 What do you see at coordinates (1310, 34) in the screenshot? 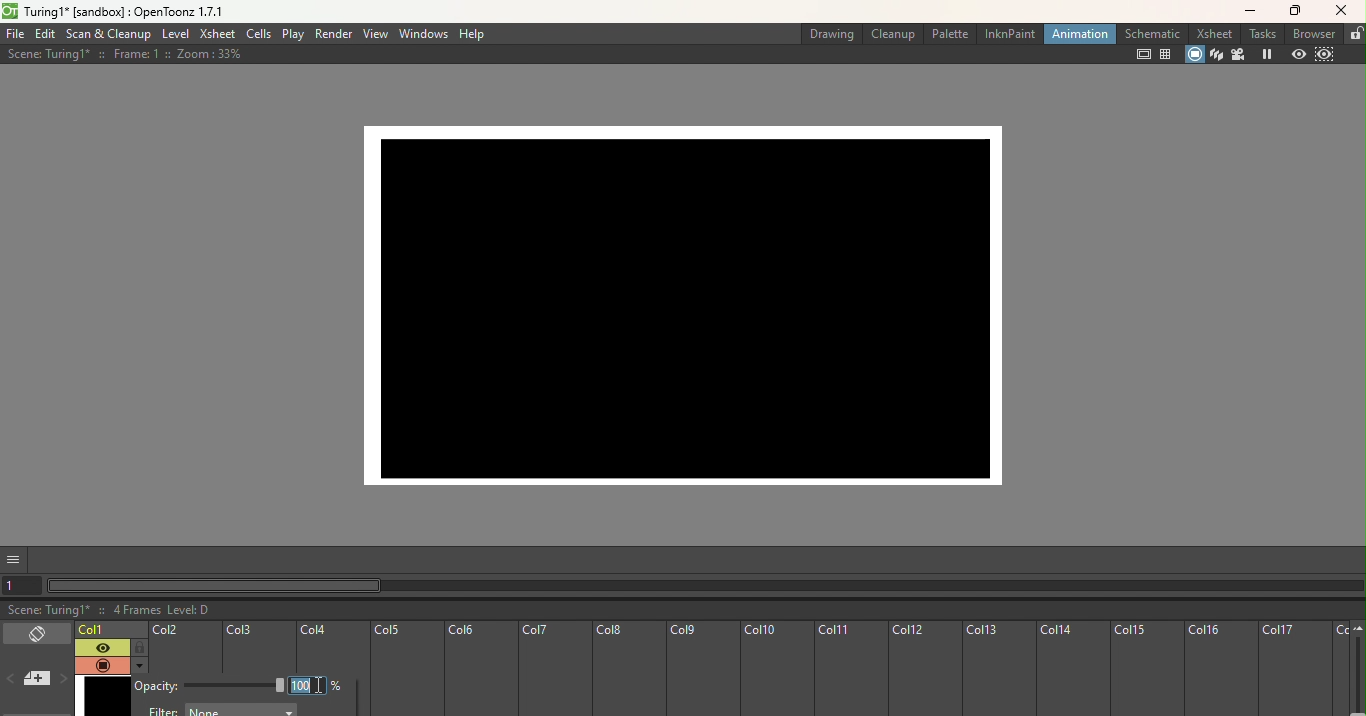
I see `Browser` at bounding box center [1310, 34].